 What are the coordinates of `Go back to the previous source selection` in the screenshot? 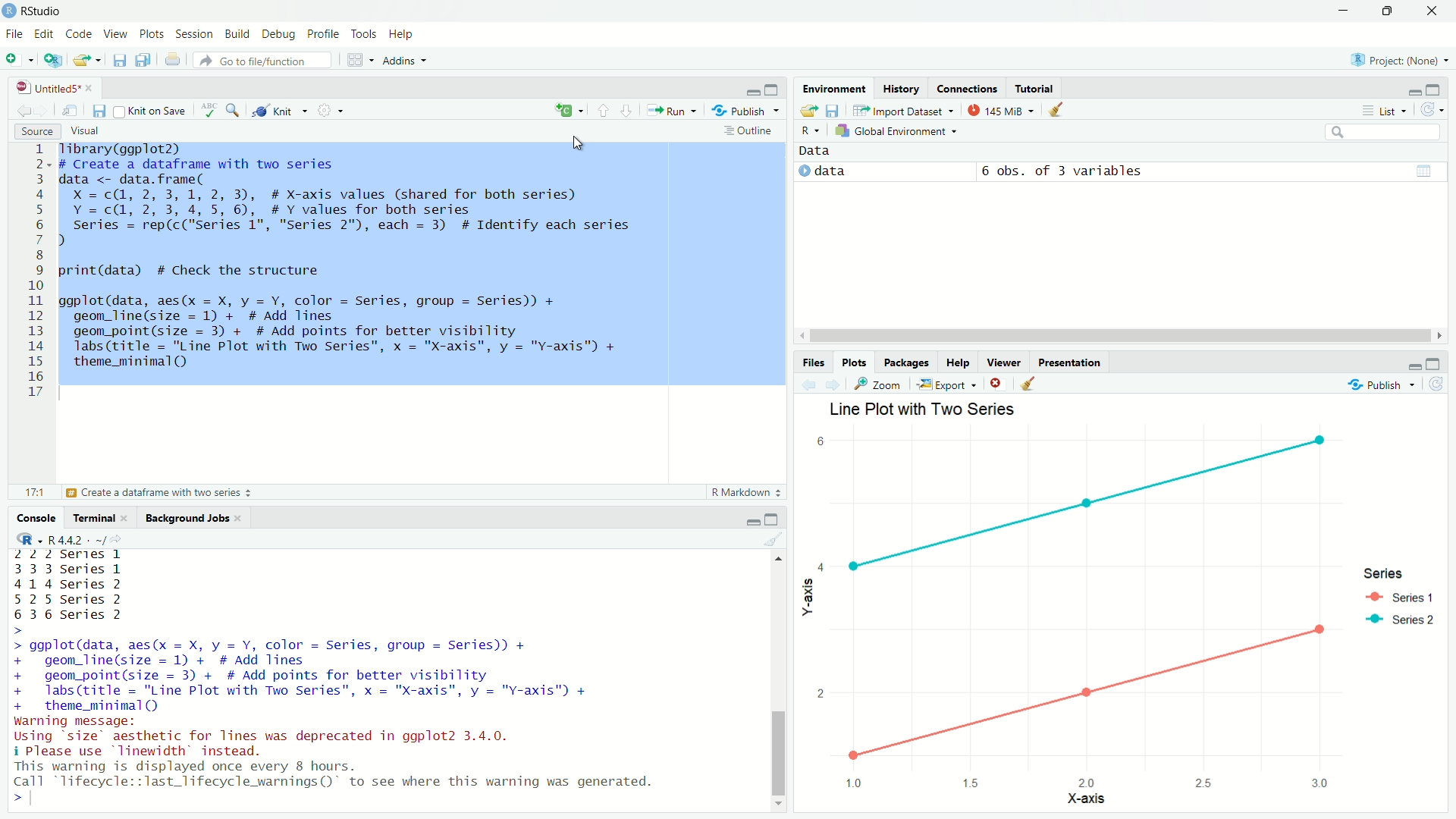 It's located at (22, 108).